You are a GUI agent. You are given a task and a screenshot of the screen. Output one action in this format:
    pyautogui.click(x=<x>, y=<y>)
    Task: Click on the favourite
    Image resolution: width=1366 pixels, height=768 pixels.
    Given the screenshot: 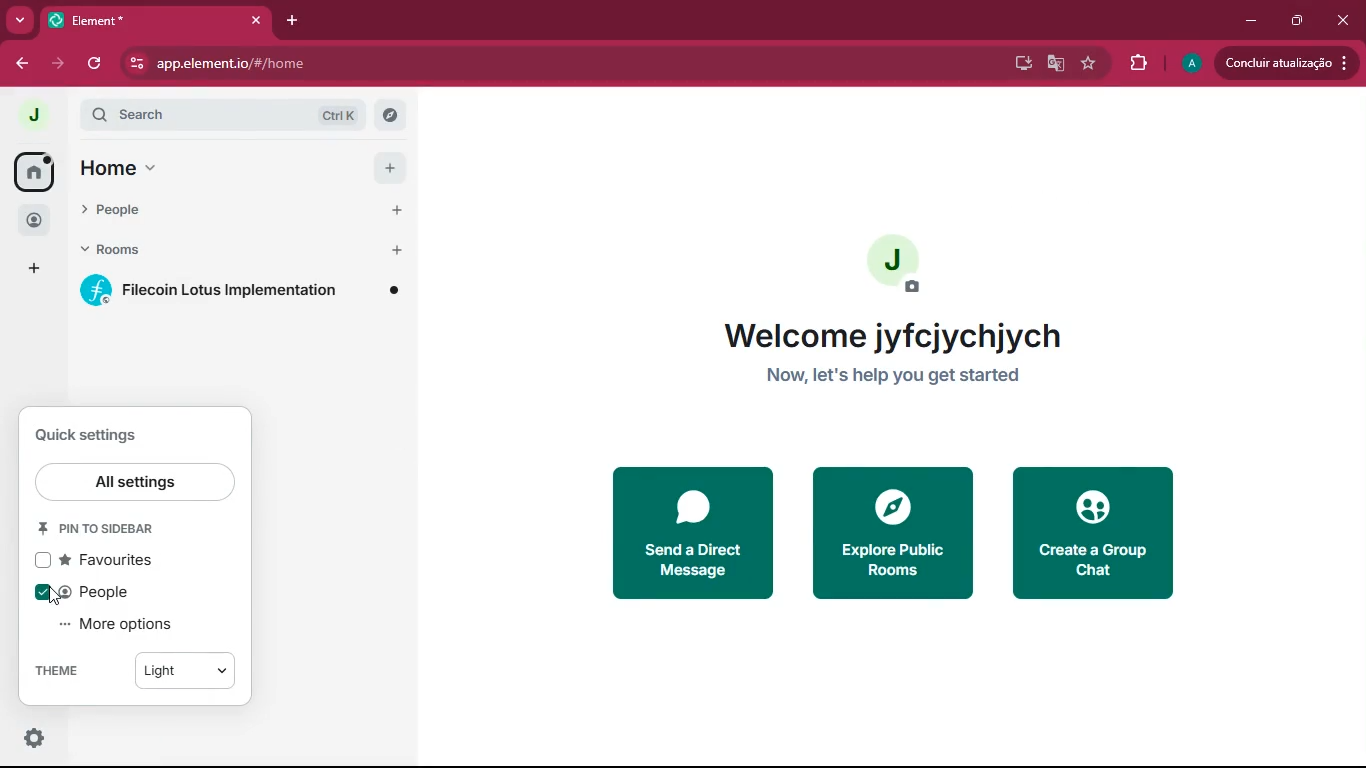 What is the action you would take?
    pyautogui.click(x=1087, y=62)
    